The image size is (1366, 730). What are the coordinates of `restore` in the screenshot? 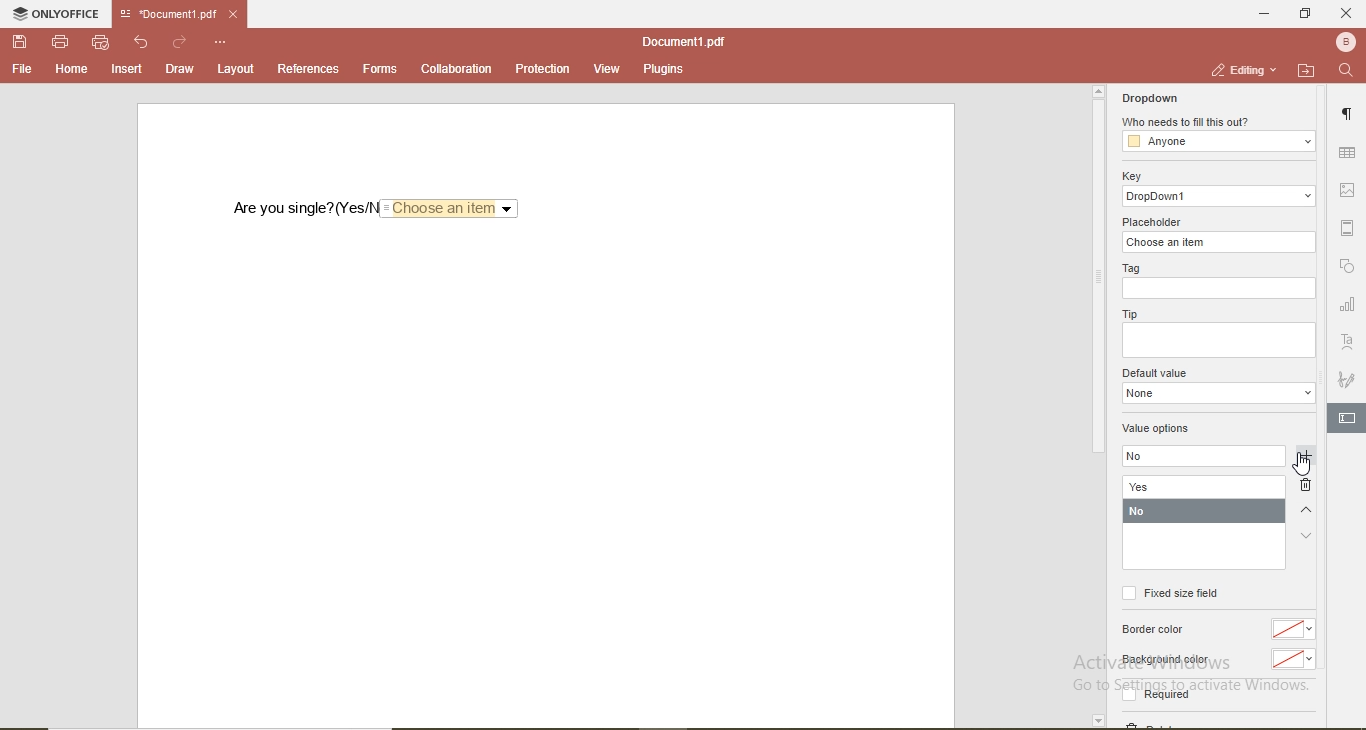 It's located at (1308, 16).